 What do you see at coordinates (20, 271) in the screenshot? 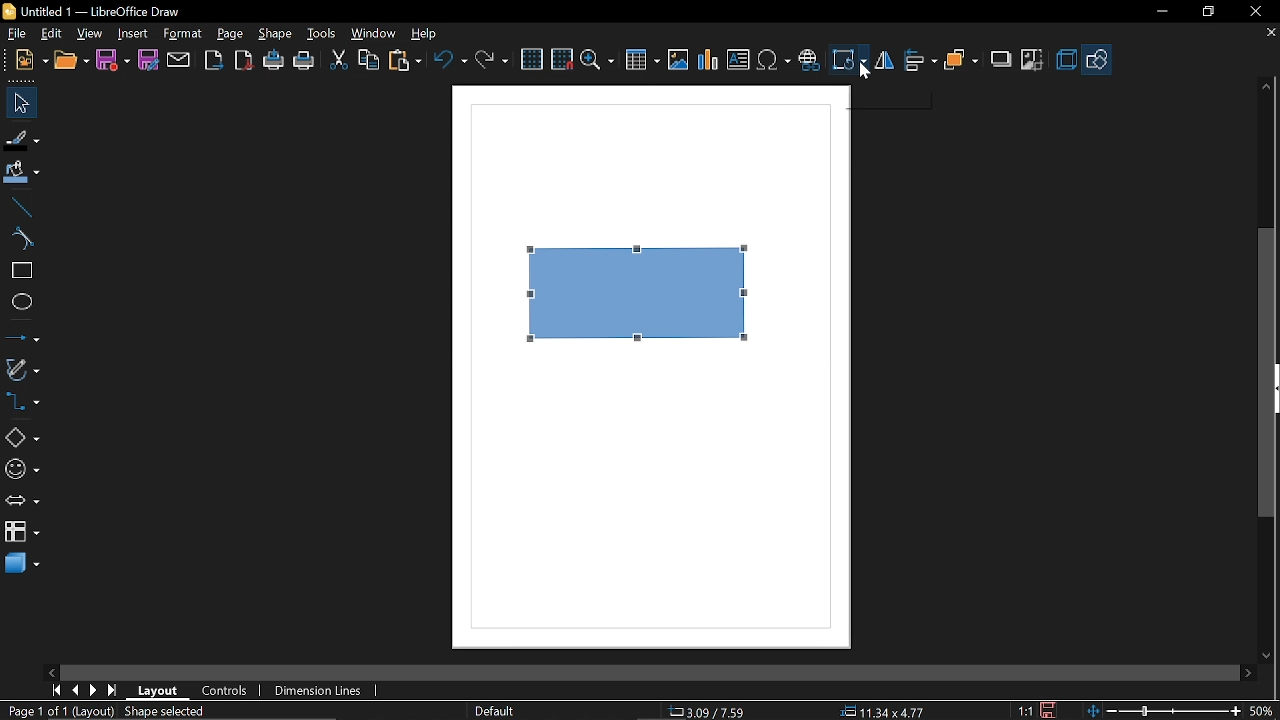
I see `rectangle` at bounding box center [20, 271].